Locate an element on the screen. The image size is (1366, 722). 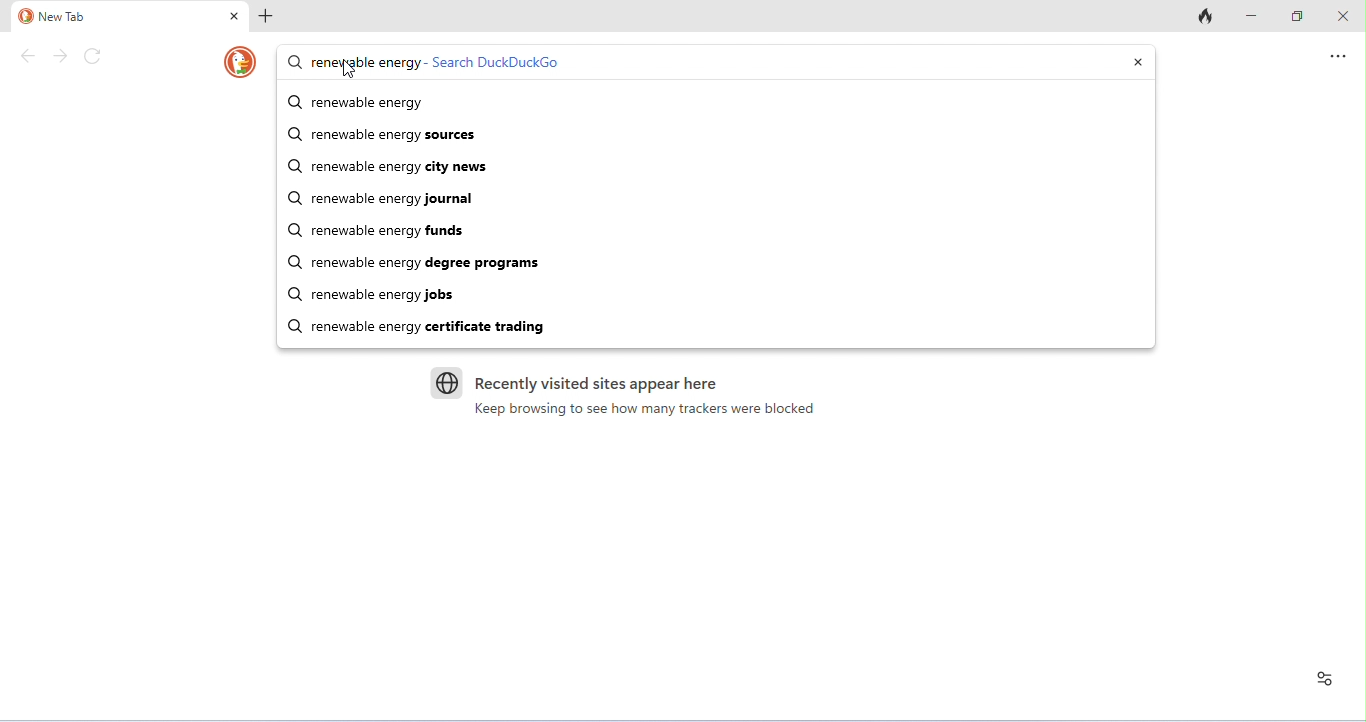
renewable energy degree programs is located at coordinates (727, 264).